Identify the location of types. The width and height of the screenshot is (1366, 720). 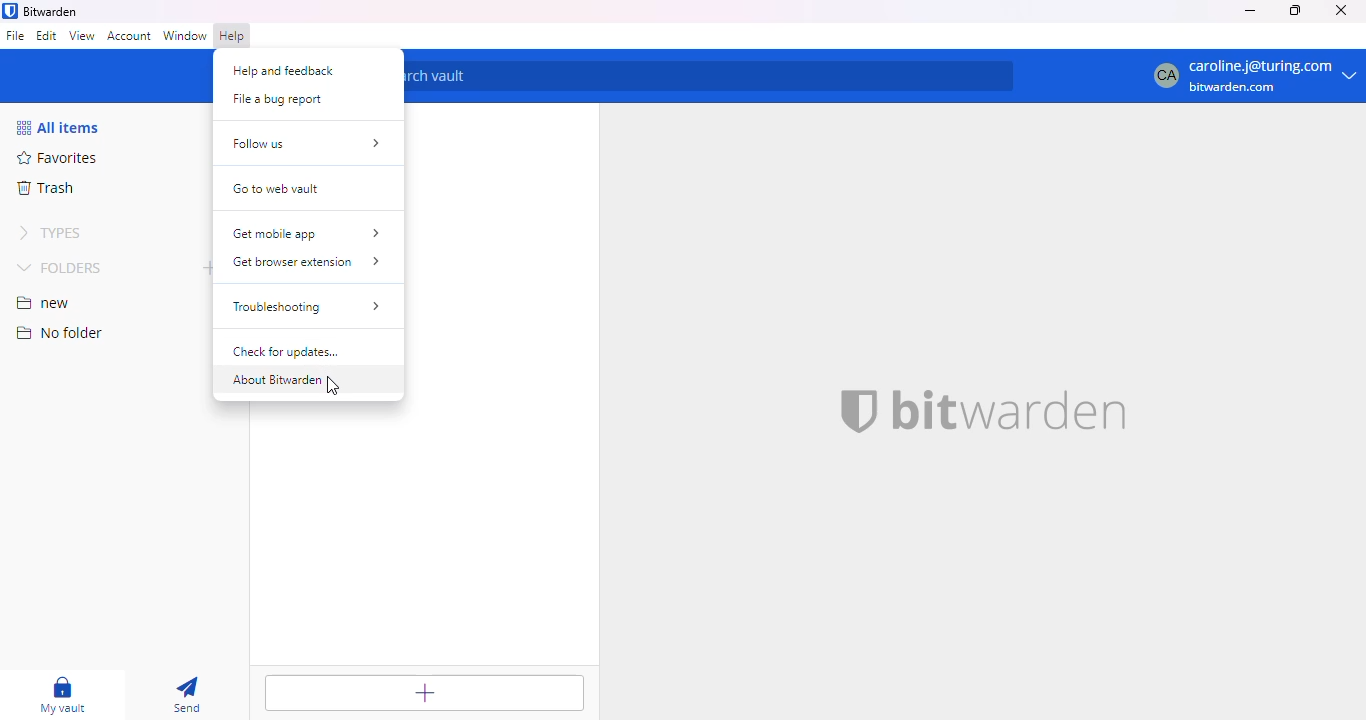
(49, 232).